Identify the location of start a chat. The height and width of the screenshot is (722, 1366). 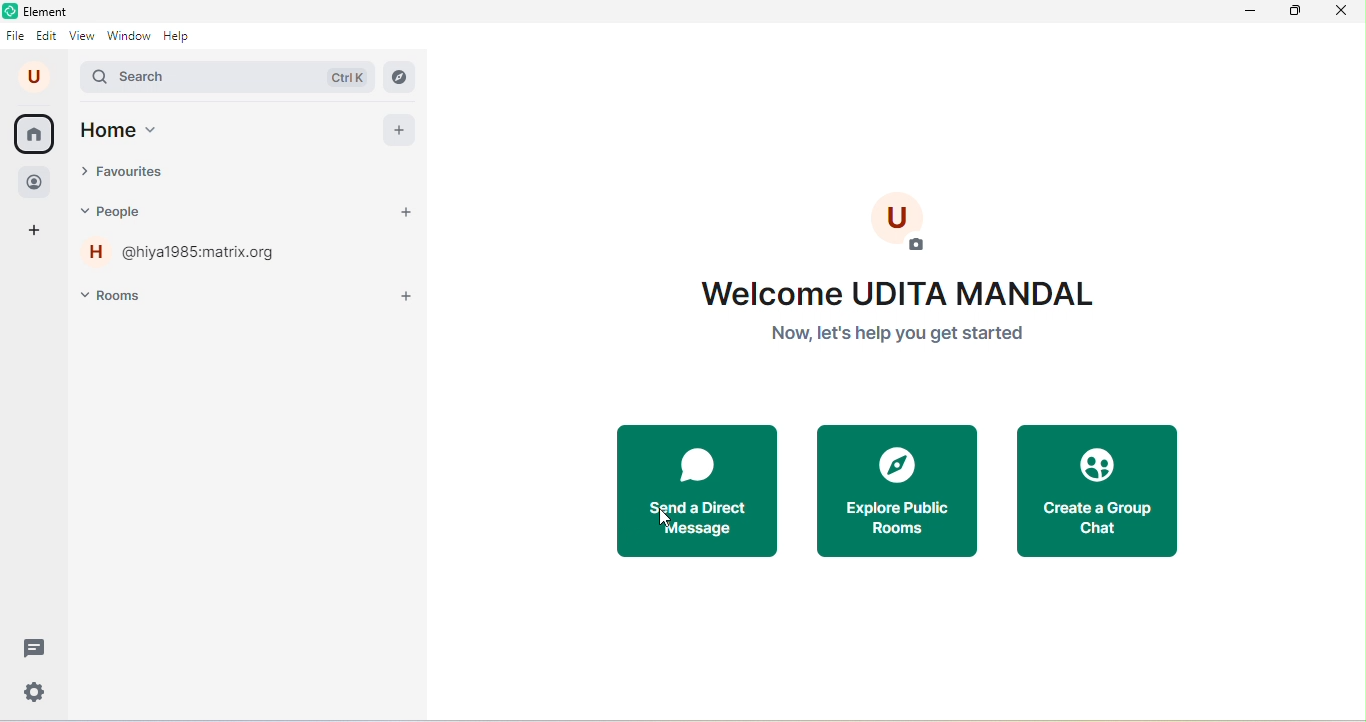
(406, 213).